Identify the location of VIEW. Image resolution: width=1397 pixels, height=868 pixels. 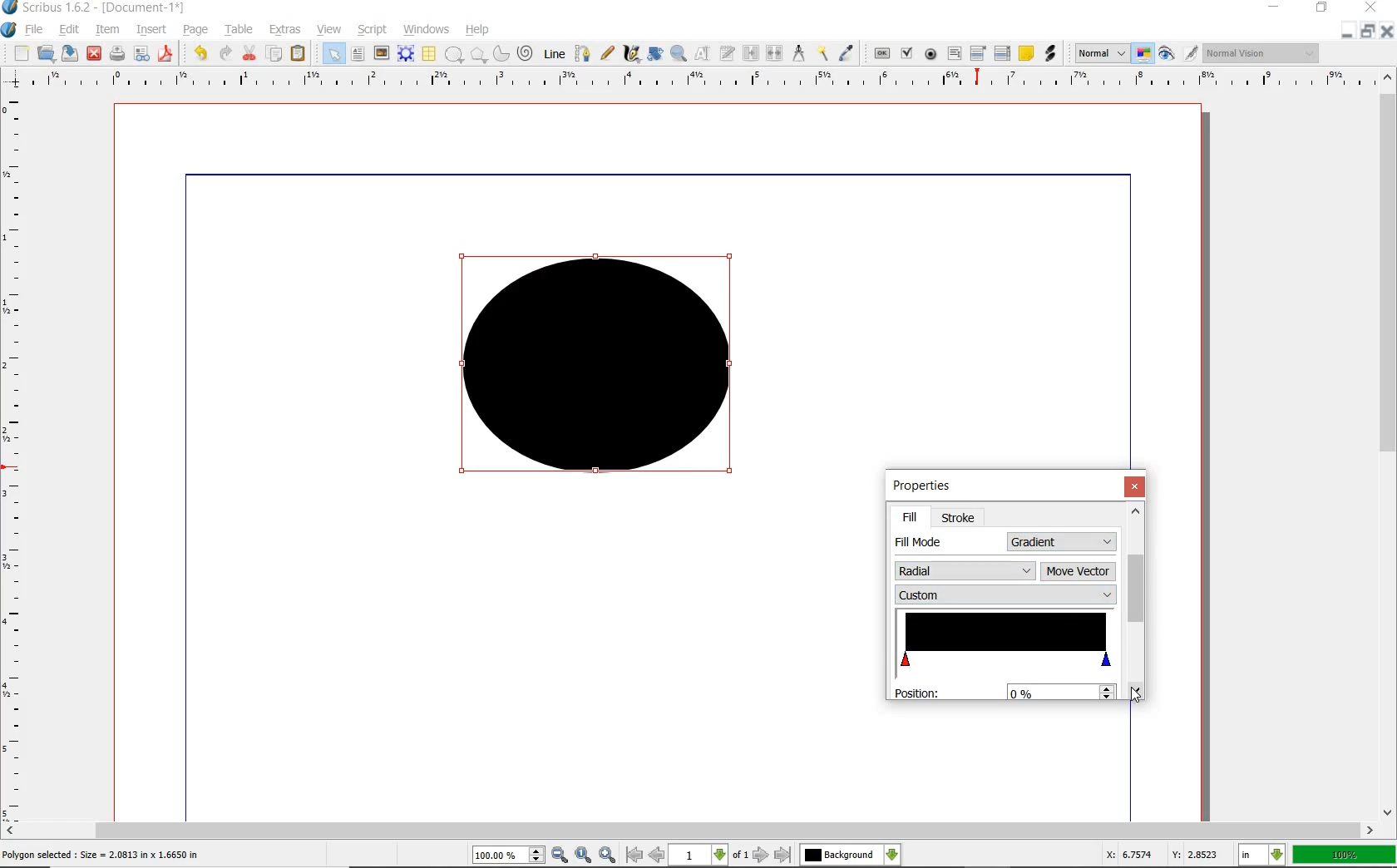
(329, 28).